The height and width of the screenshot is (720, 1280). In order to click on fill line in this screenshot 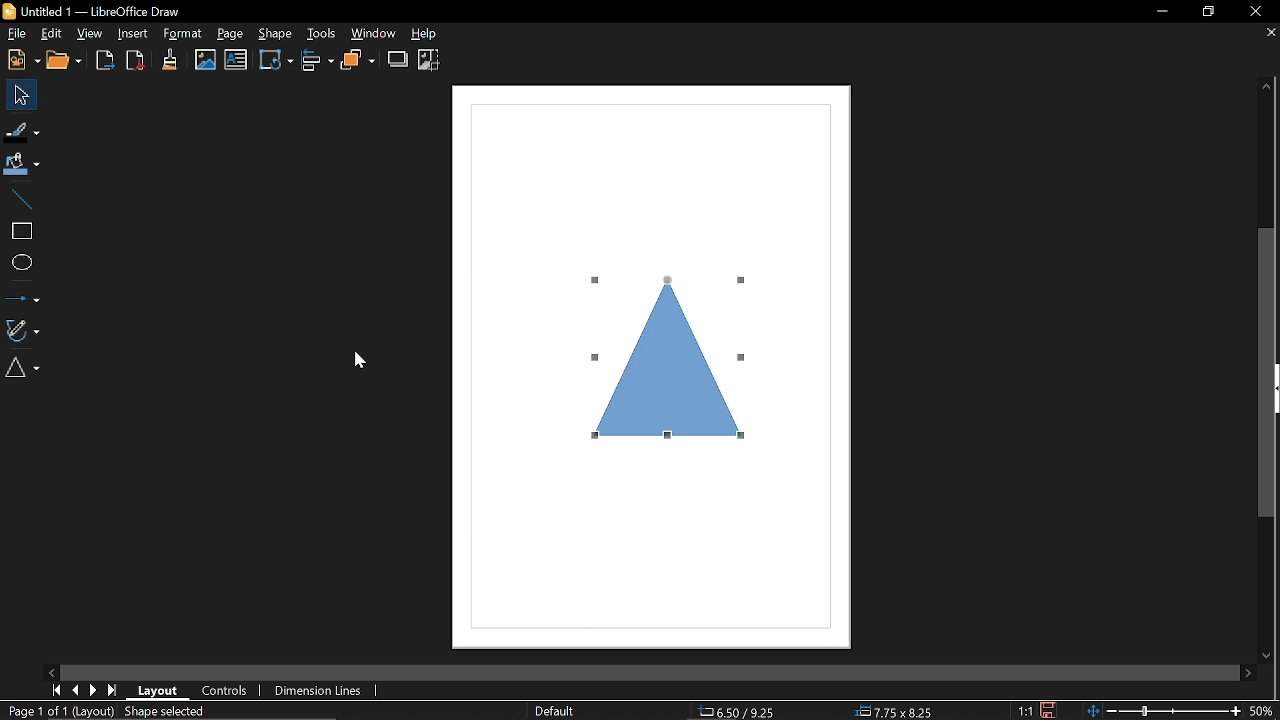, I will do `click(23, 131)`.